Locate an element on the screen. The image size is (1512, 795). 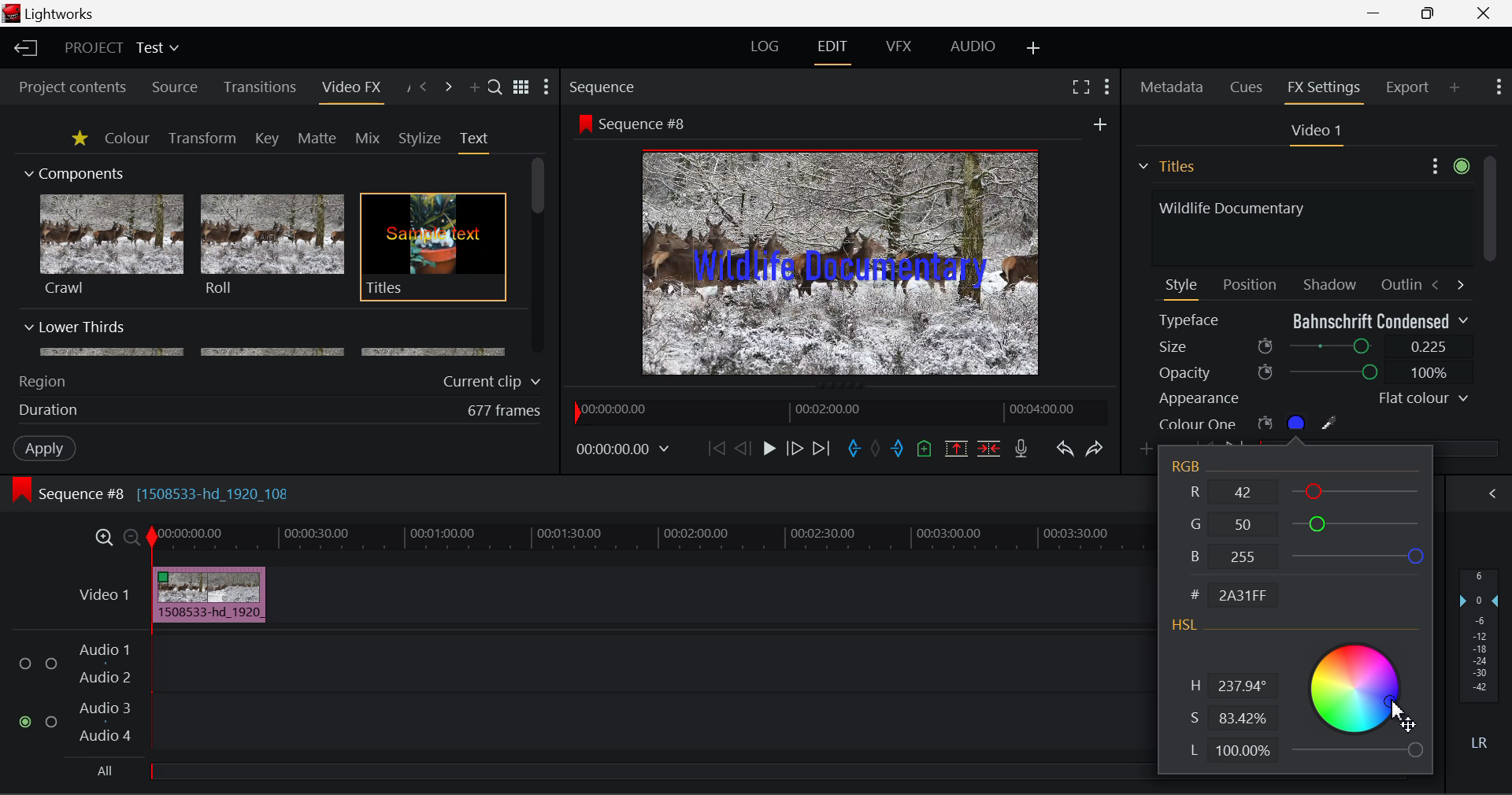
Add keyframe is located at coordinates (1148, 450).